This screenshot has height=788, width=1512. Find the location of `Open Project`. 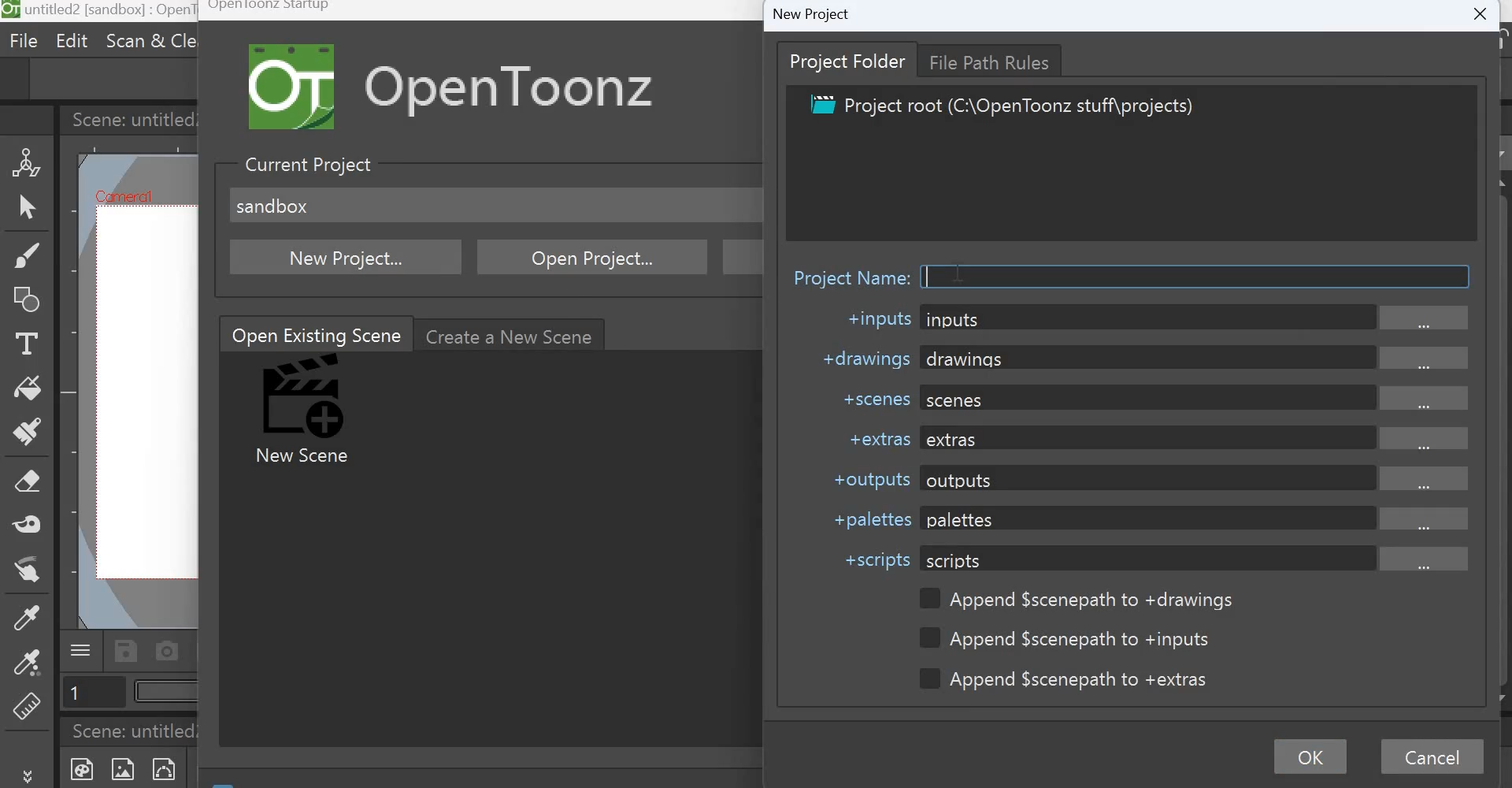

Open Project is located at coordinates (595, 257).